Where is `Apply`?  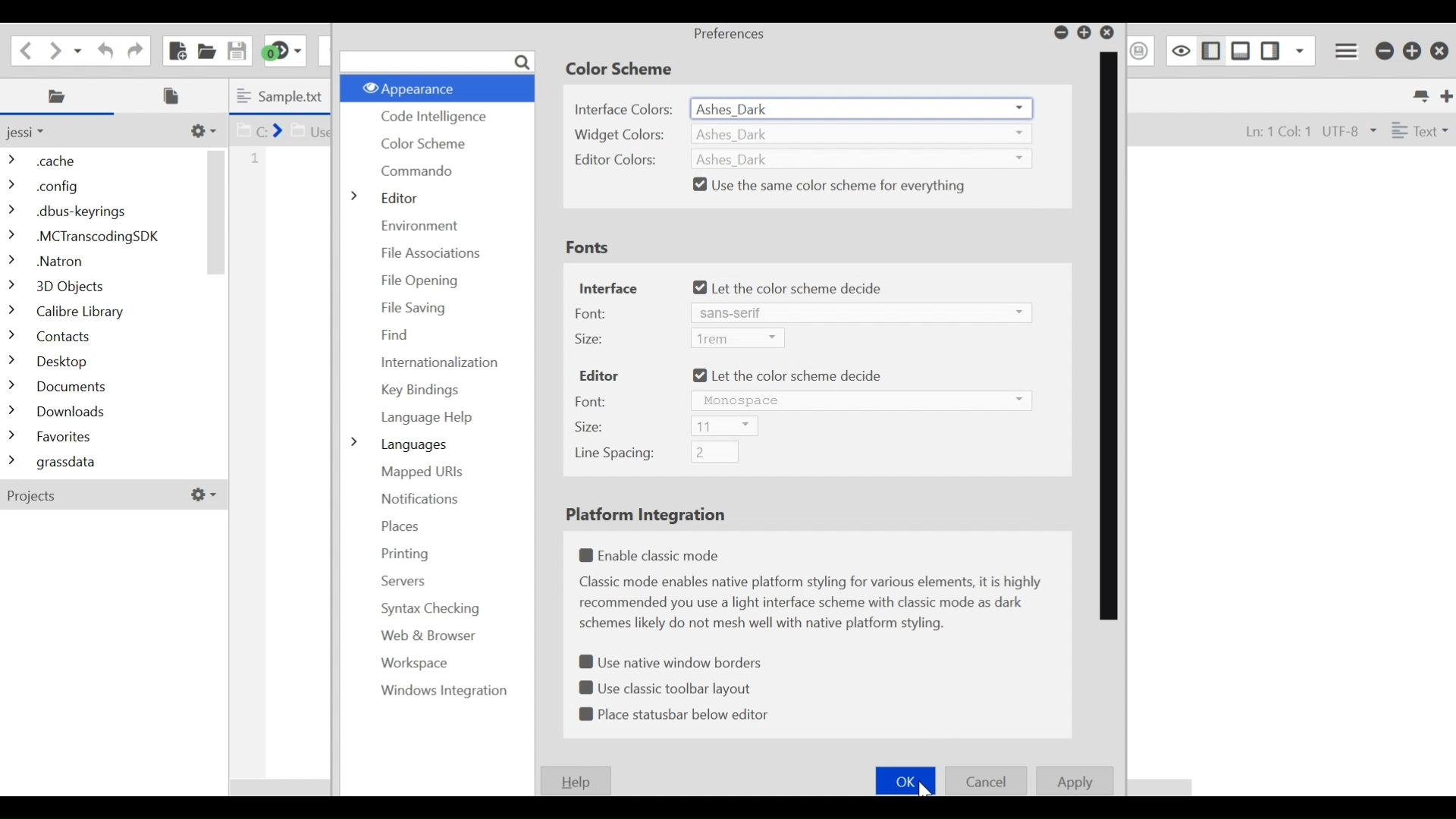
Apply is located at coordinates (1075, 781).